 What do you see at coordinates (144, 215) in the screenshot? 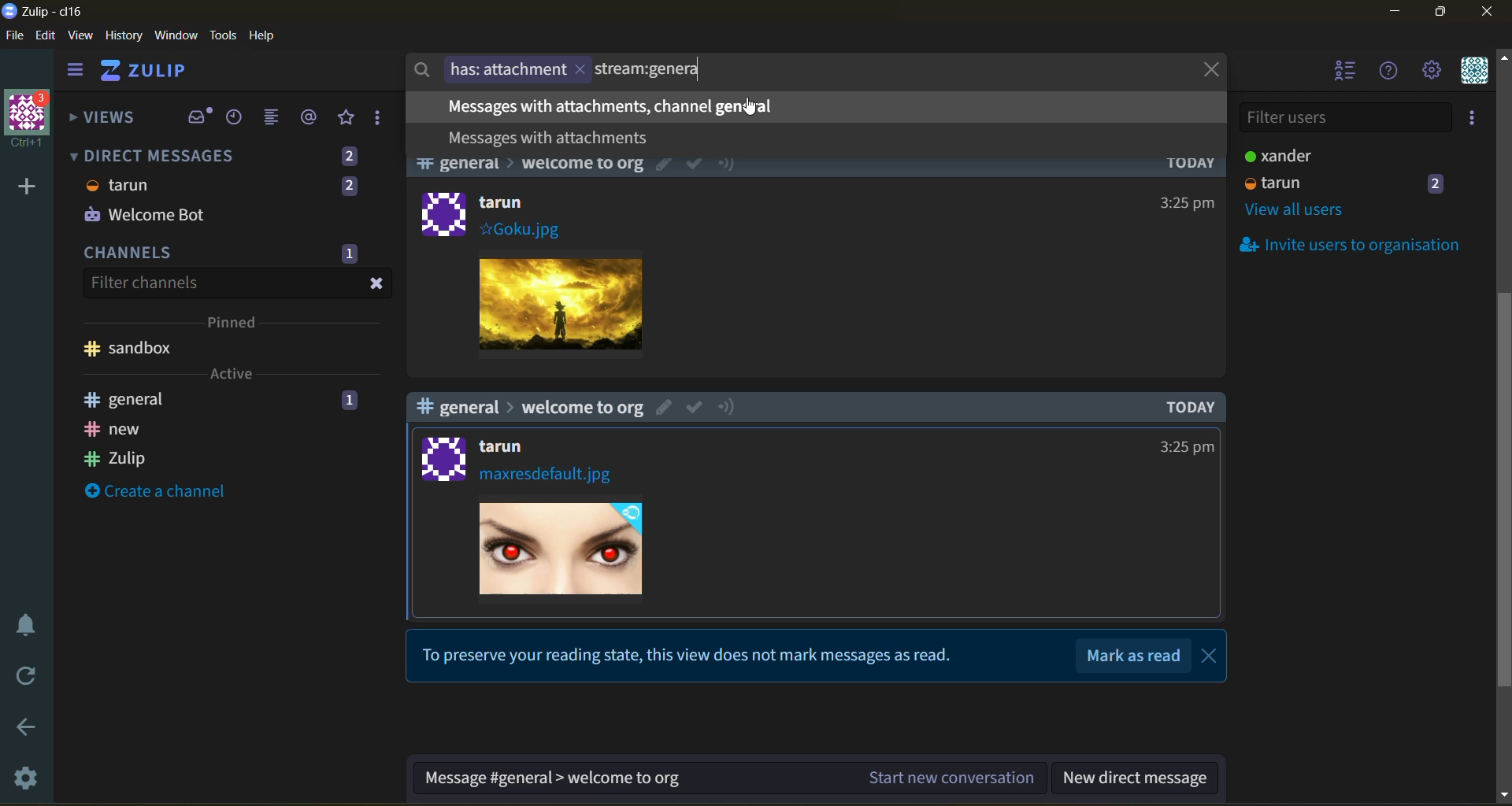
I see `Welcome Bot` at bounding box center [144, 215].